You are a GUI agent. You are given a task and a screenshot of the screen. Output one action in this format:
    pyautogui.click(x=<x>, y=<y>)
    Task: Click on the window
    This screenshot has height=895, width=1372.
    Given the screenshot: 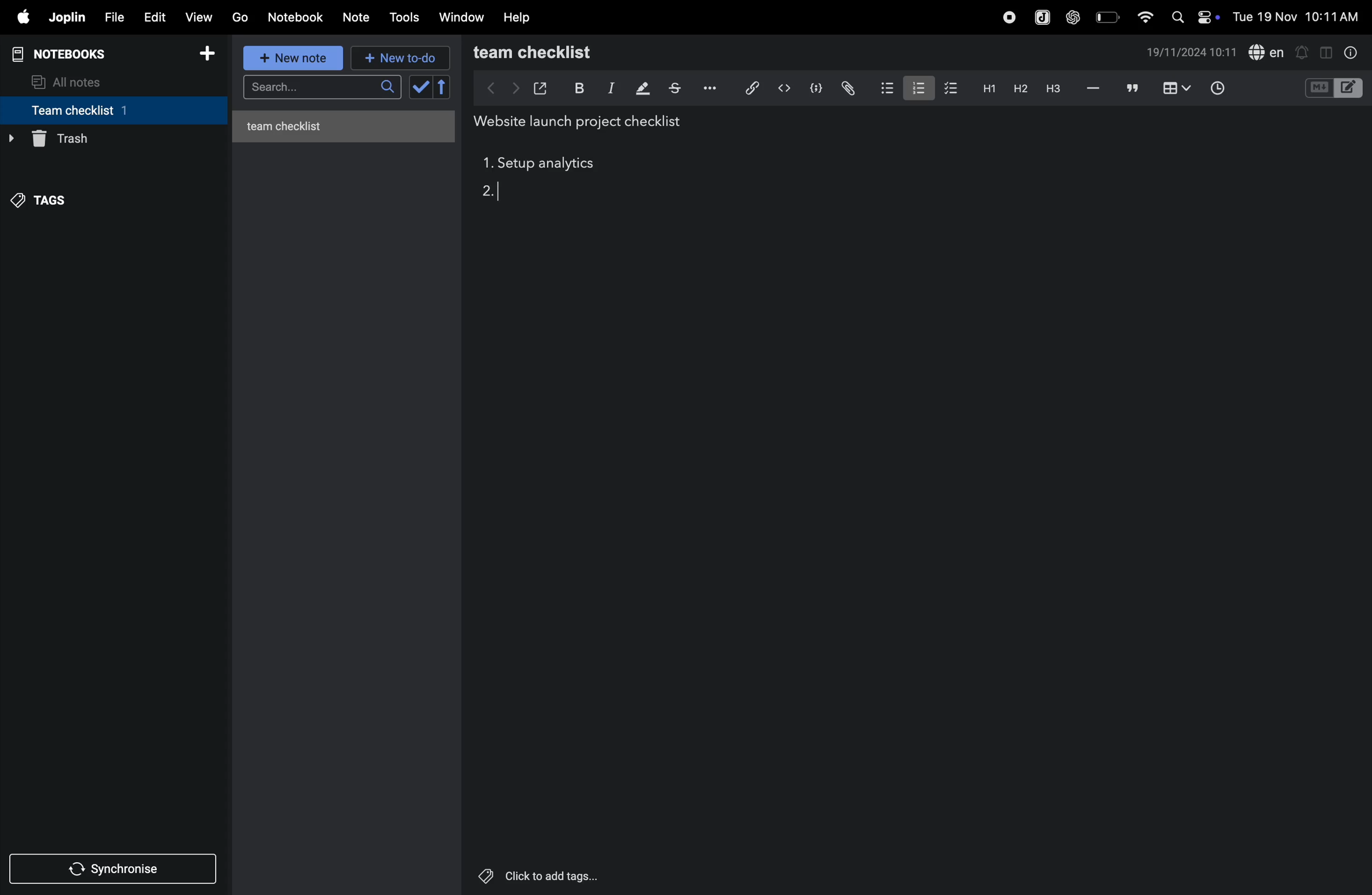 What is the action you would take?
    pyautogui.click(x=461, y=18)
    